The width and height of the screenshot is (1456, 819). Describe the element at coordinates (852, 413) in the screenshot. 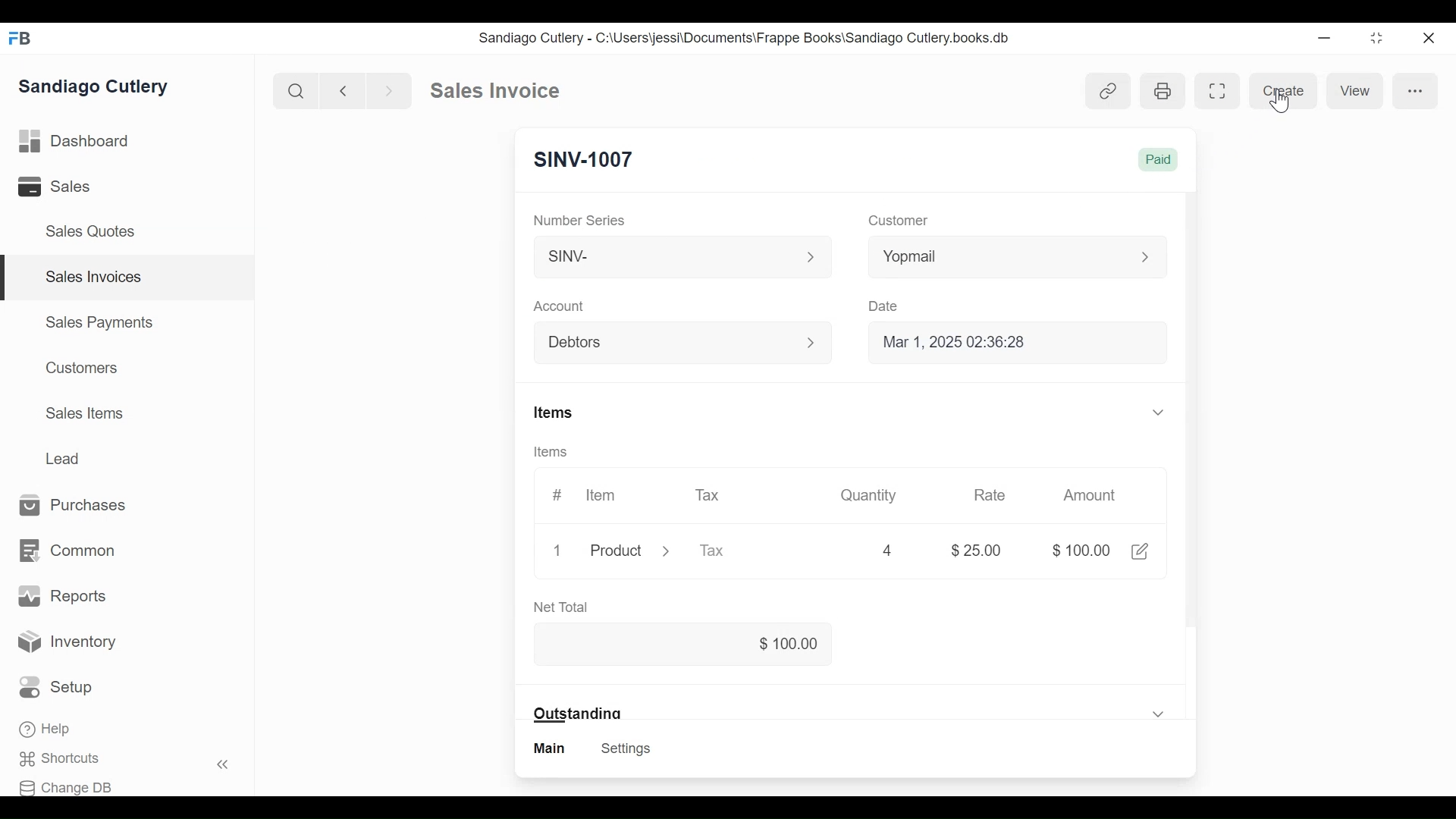

I see `Items` at that location.